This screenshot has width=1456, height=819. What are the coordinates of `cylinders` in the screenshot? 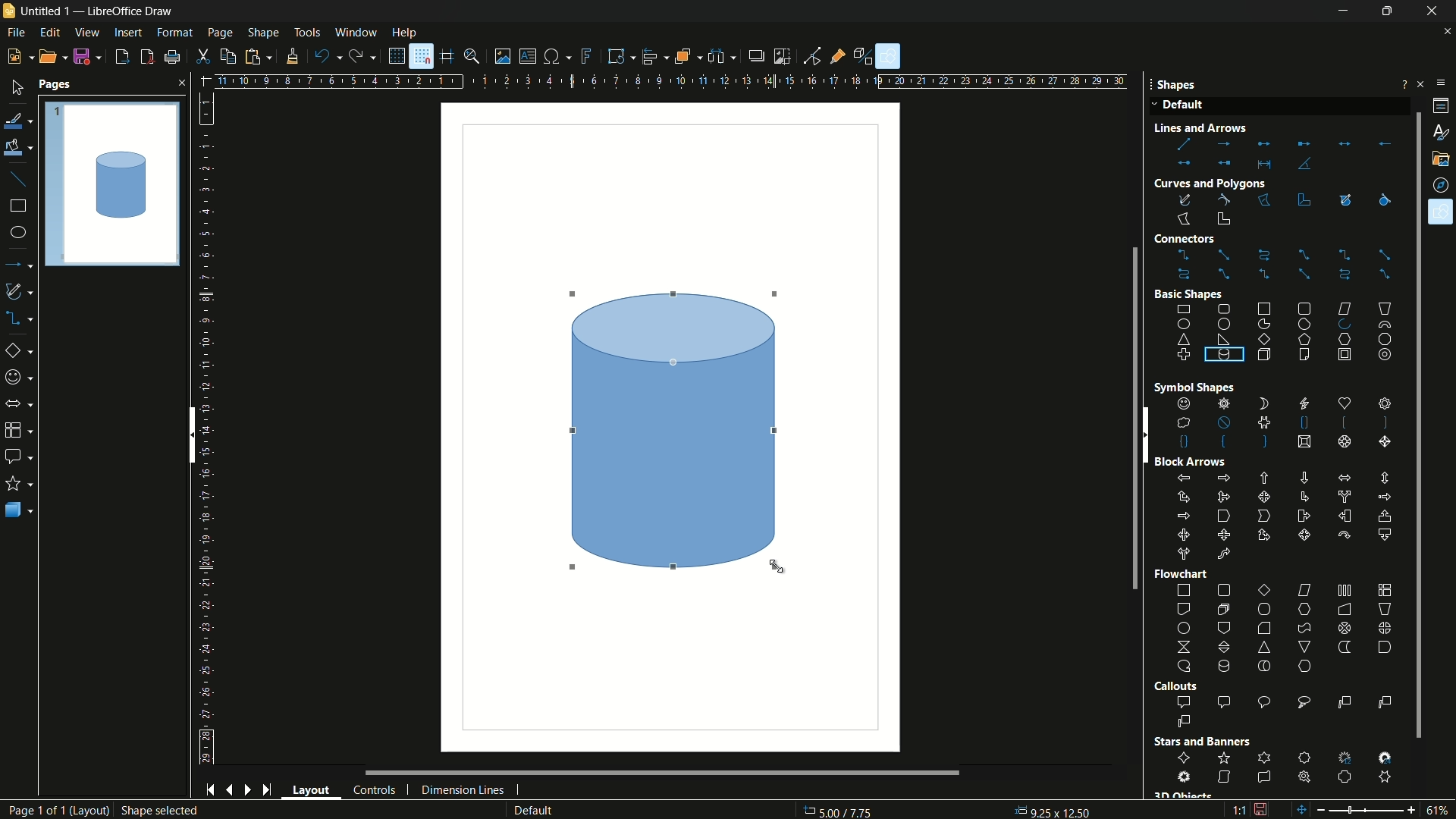 It's located at (1243, 378).